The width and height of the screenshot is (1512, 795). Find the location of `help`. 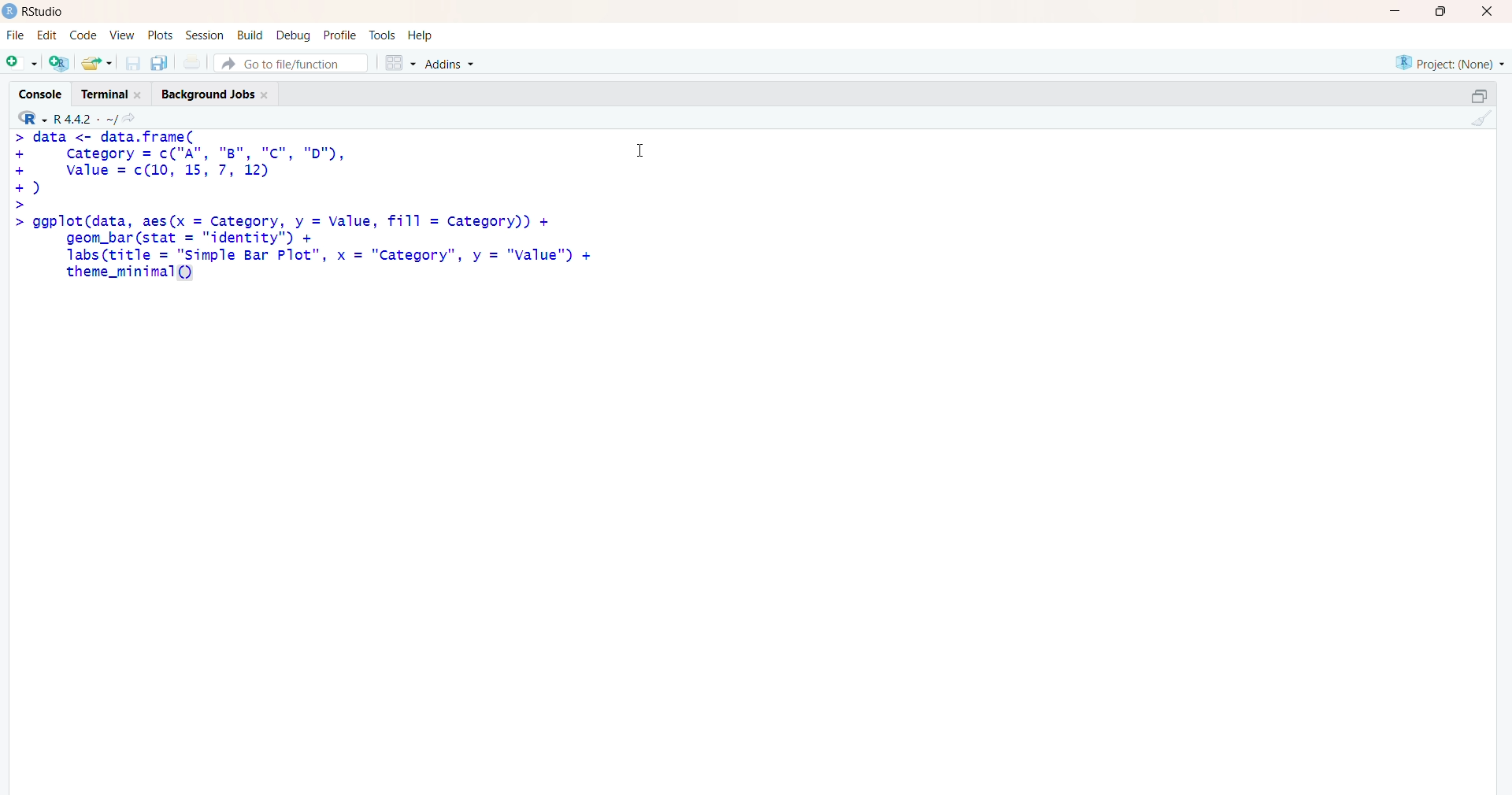

help is located at coordinates (423, 35).